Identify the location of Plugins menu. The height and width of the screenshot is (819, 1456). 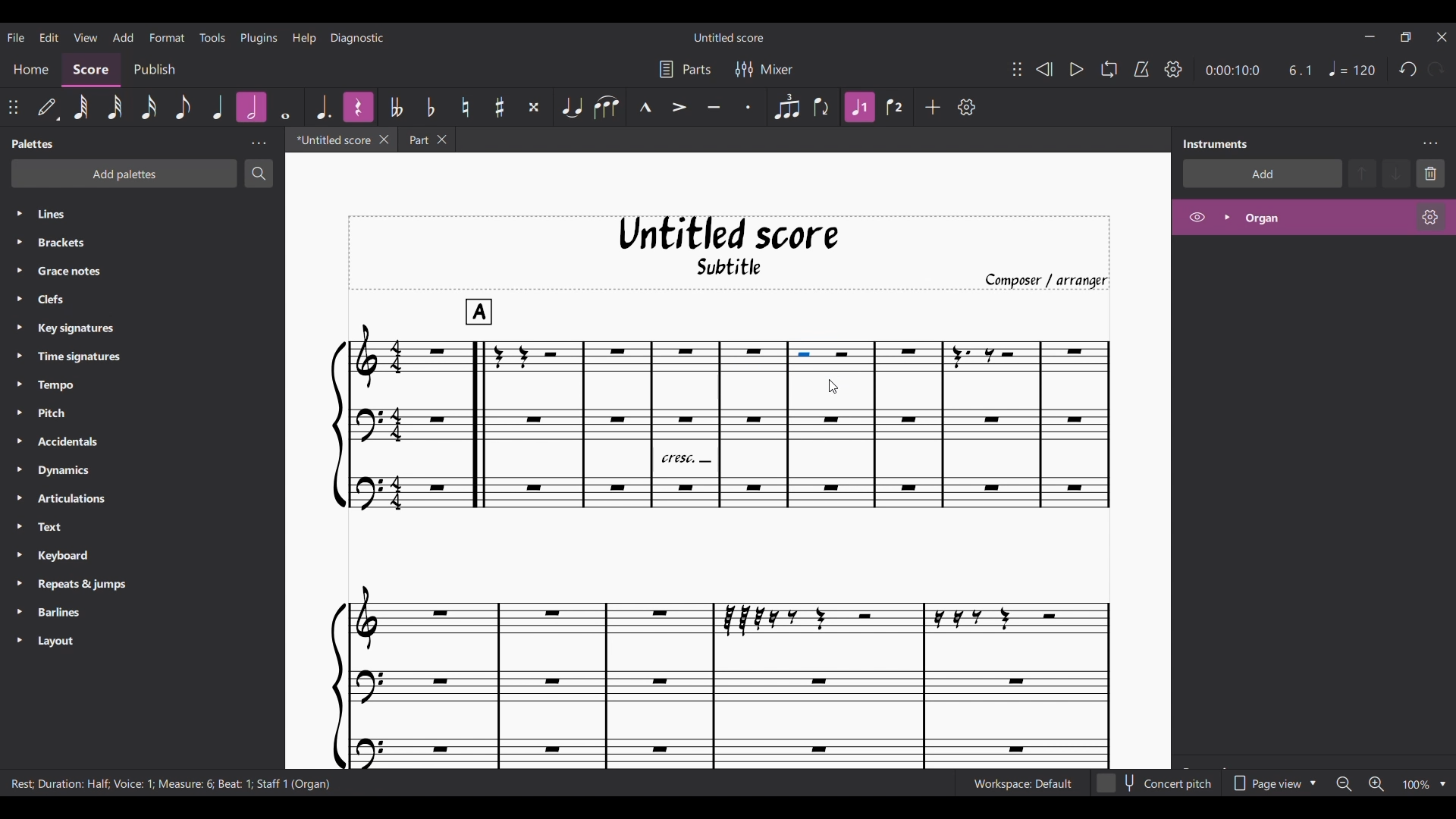
(259, 36).